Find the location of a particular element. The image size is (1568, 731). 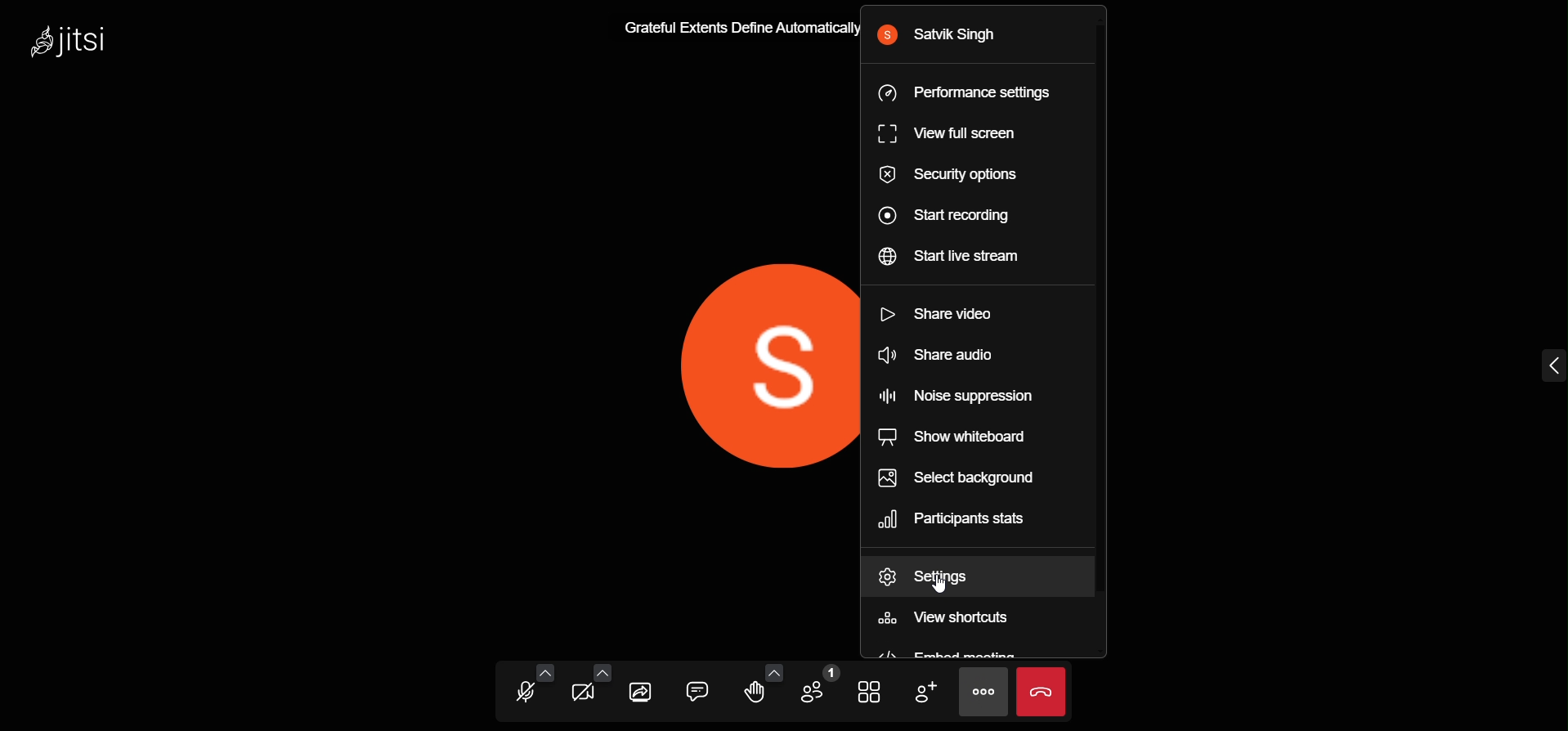

invite people is located at coordinates (925, 694).